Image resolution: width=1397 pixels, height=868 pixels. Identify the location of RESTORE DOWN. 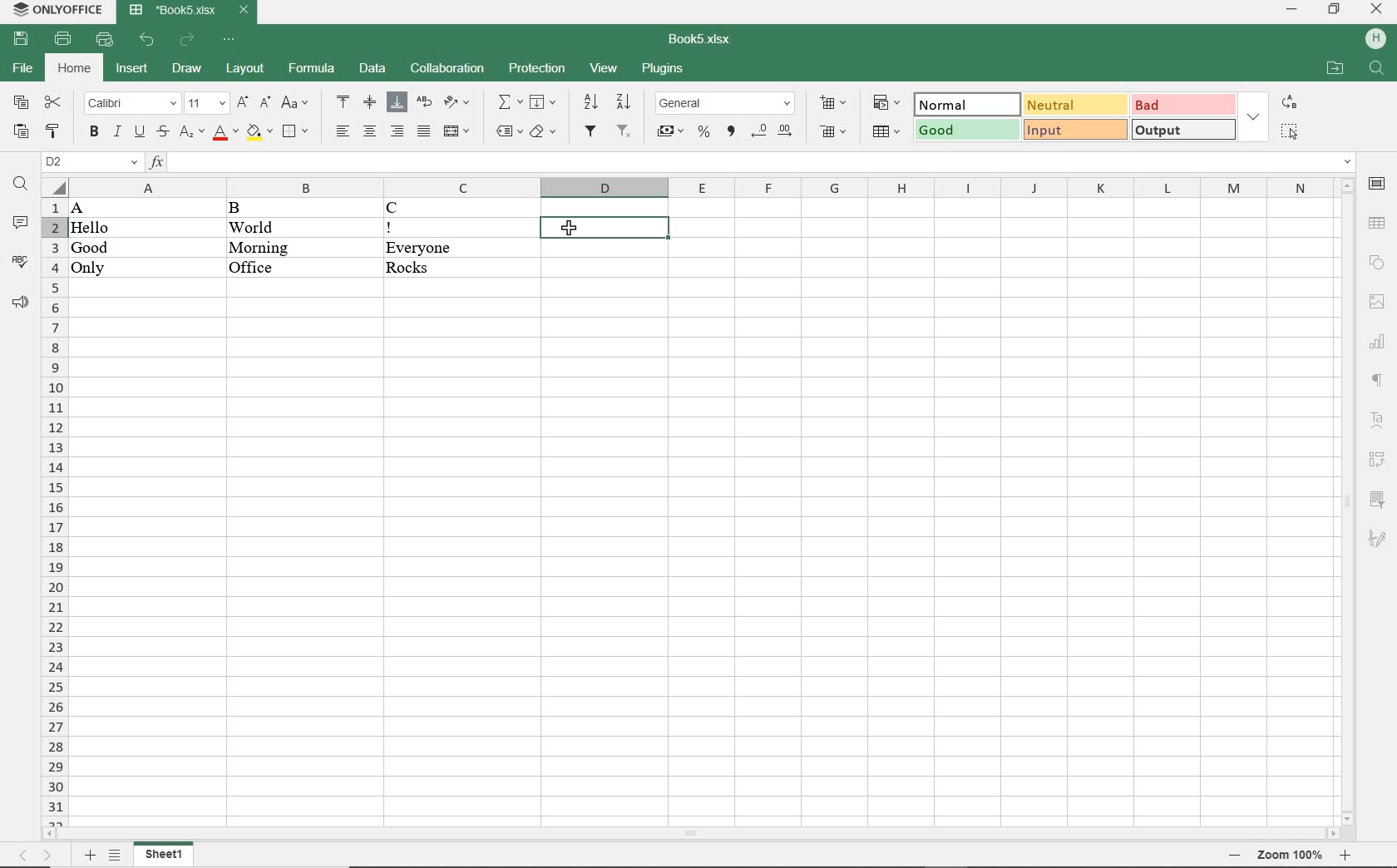
(1335, 11).